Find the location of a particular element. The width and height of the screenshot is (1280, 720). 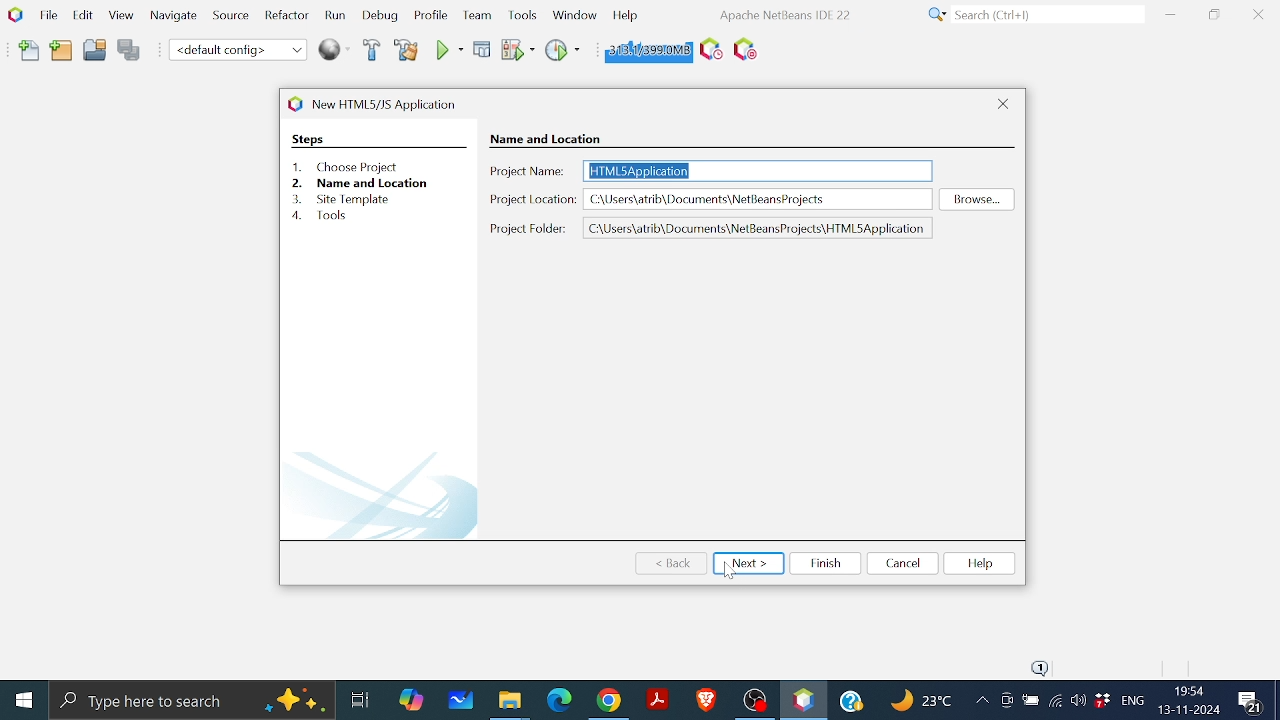

choose project is located at coordinates (542, 138).